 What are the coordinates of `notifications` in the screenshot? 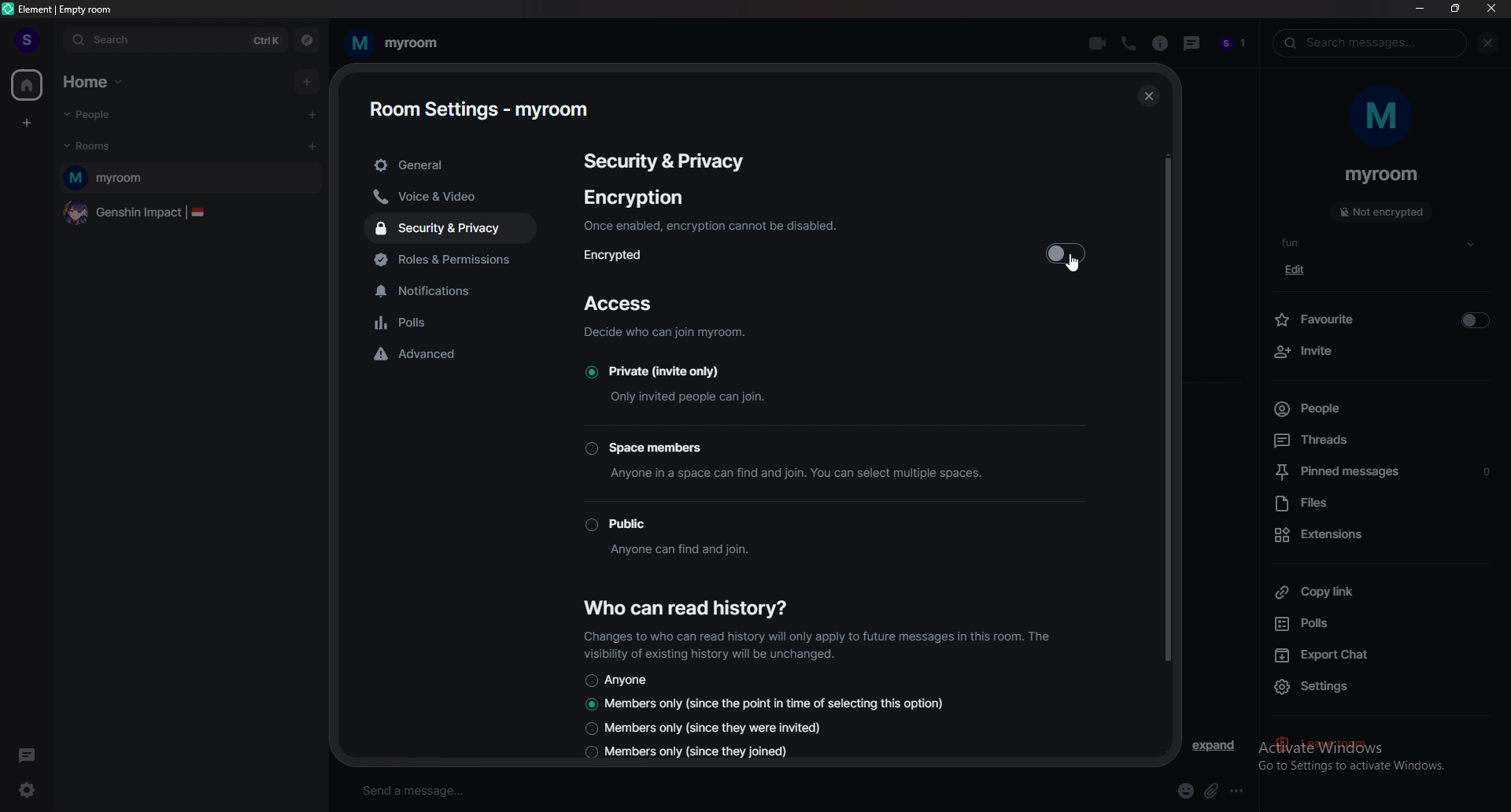 It's located at (452, 291).